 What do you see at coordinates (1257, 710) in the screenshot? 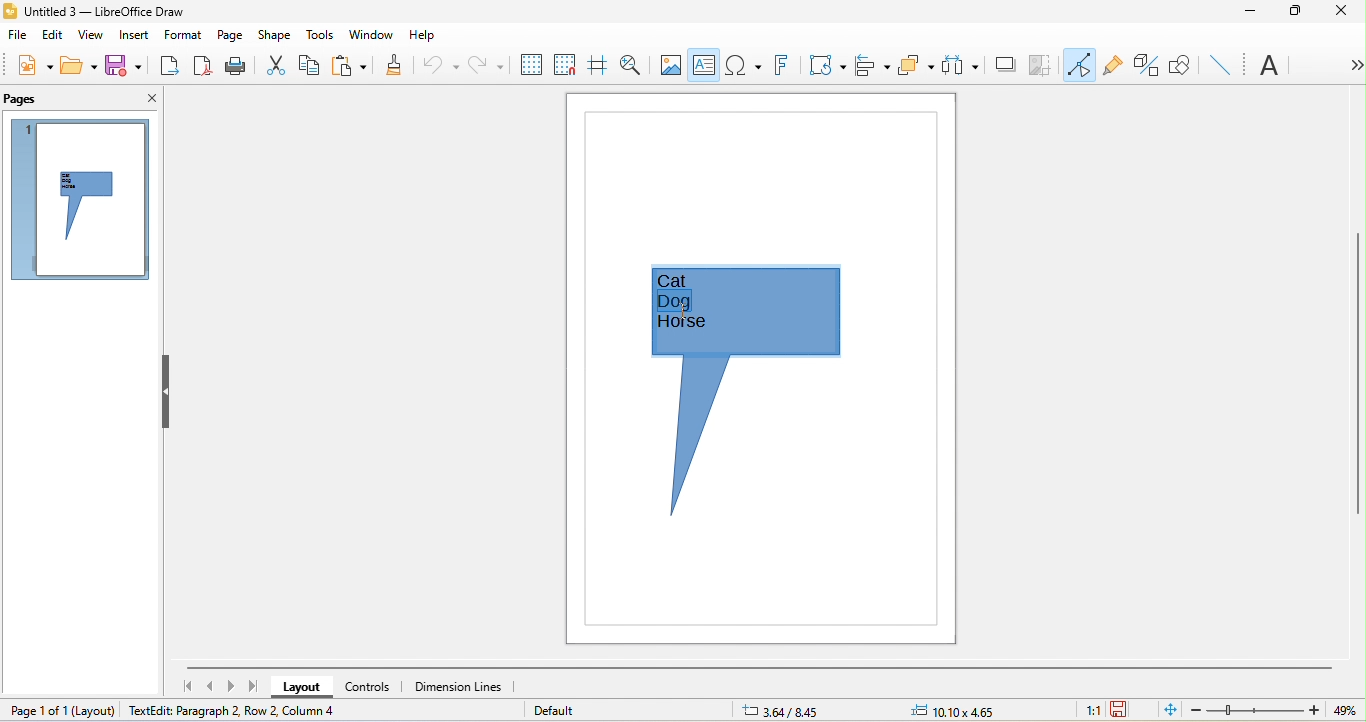
I see `zoom bar` at bounding box center [1257, 710].